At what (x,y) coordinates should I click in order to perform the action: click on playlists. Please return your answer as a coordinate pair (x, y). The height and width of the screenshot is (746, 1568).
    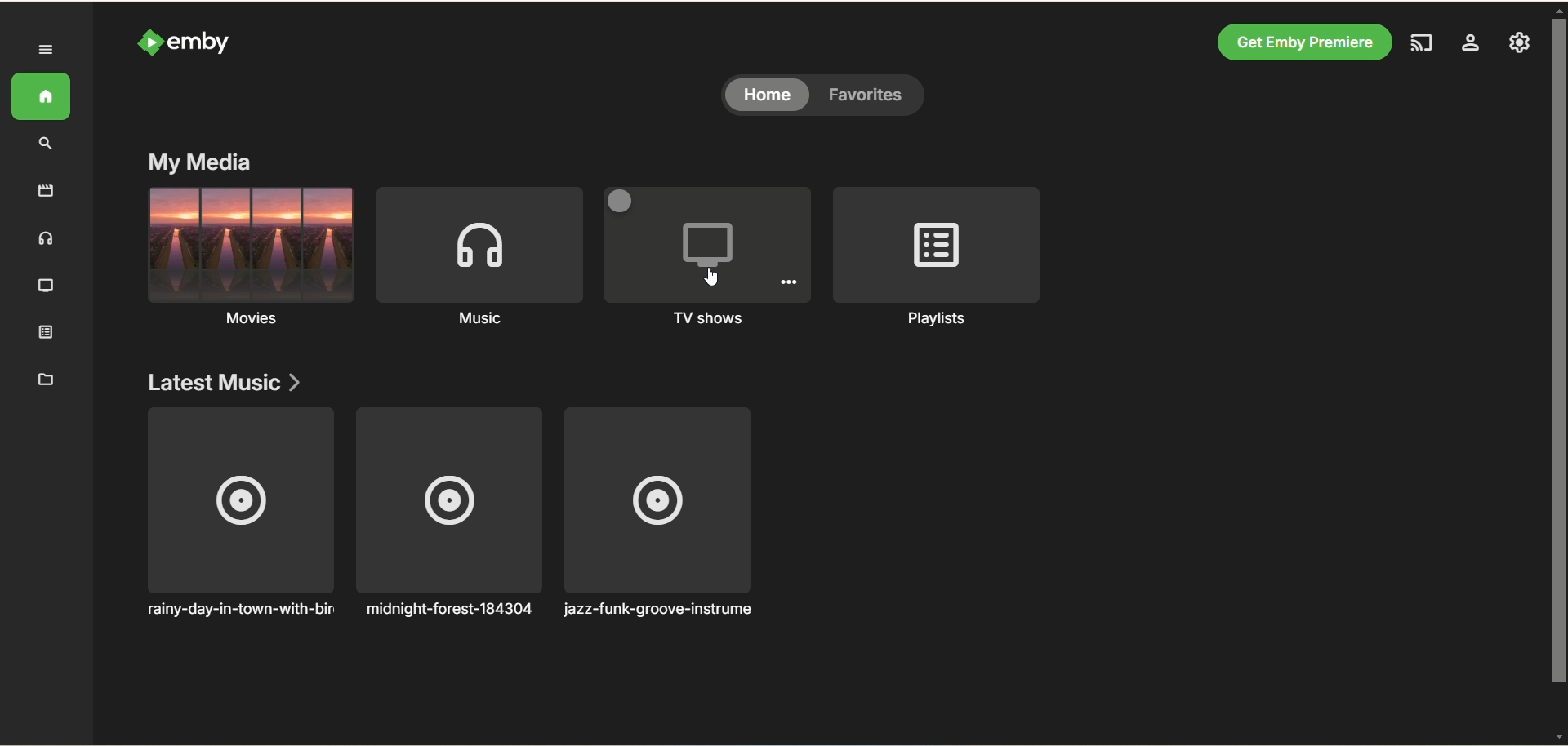
    Looking at the image, I should click on (938, 260).